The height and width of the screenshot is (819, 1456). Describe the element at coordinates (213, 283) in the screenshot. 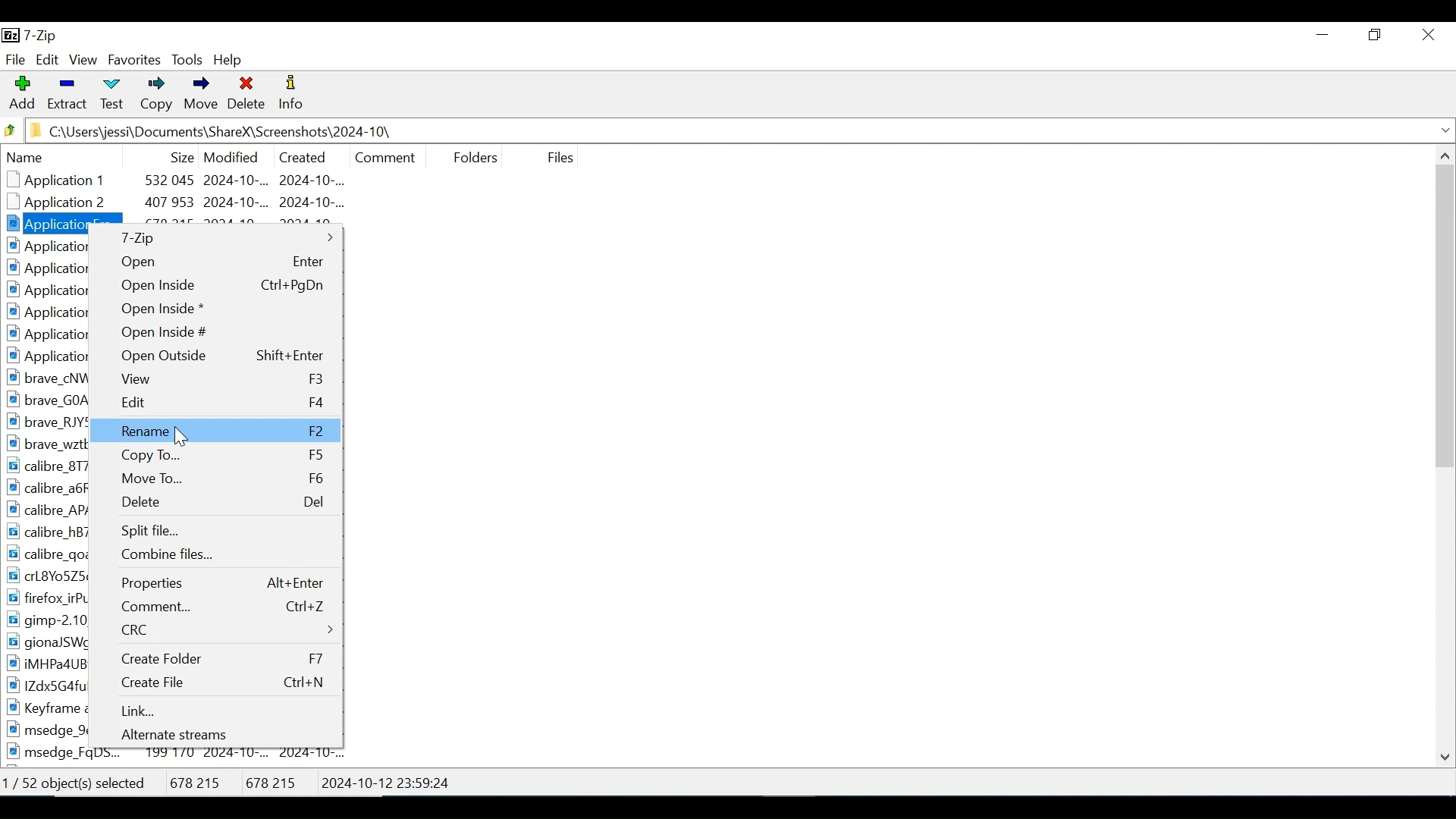

I see `Open Inside` at that location.